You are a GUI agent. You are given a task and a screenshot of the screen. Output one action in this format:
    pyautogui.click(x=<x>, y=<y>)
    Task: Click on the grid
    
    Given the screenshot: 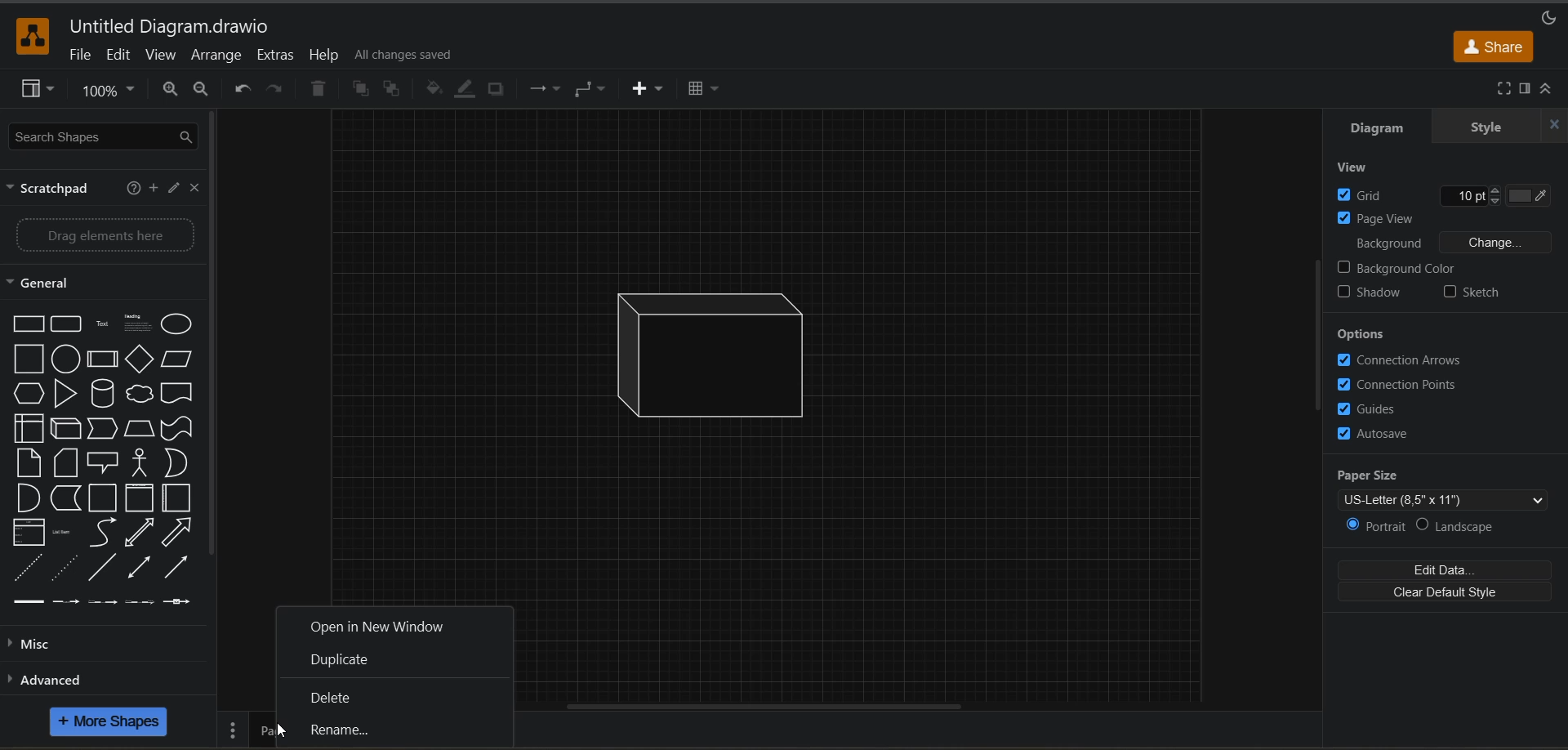 What is the action you would take?
    pyautogui.click(x=1370, y=194)
    